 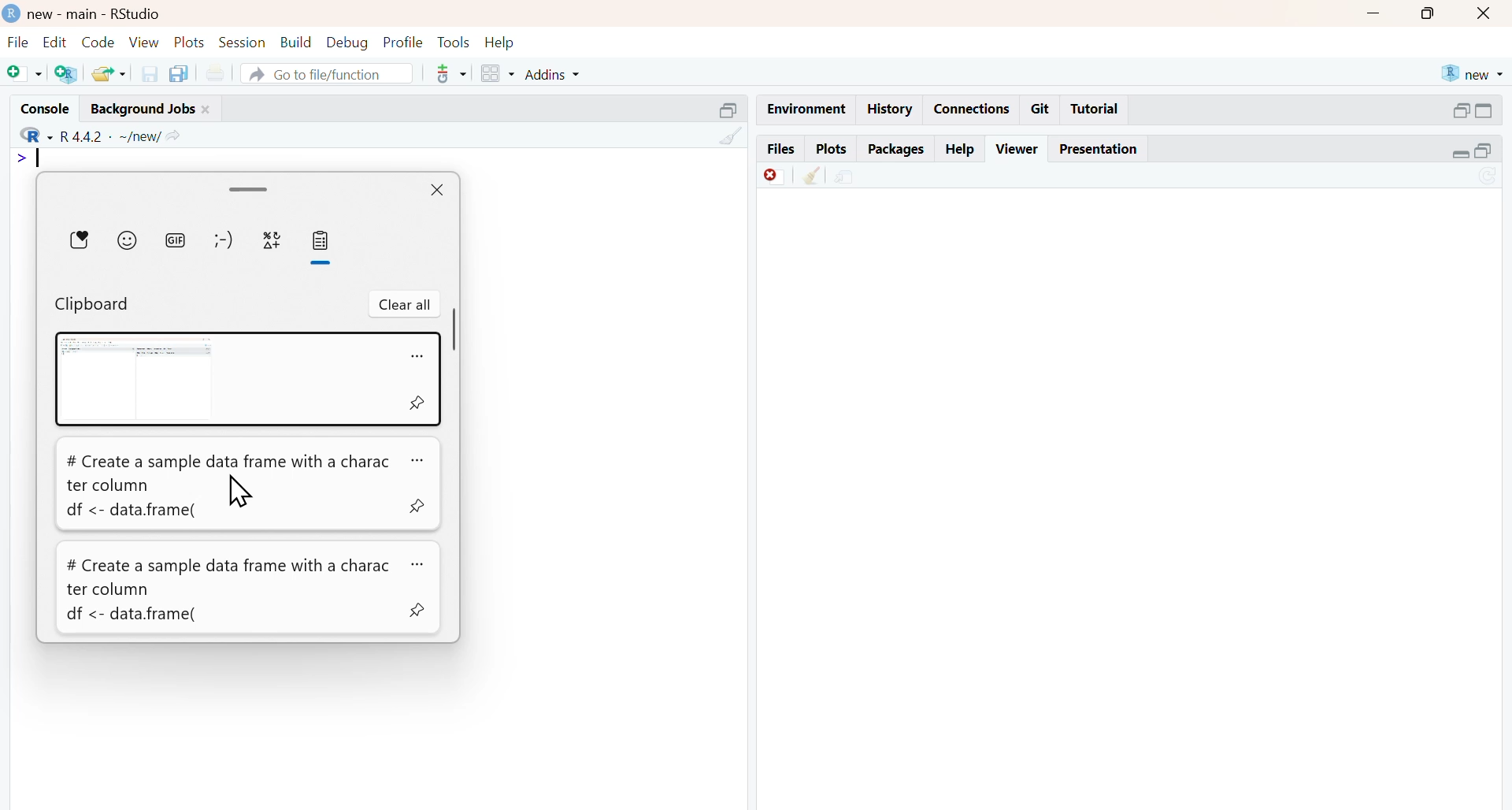 I want to click on help, so click(x=500, y=43).